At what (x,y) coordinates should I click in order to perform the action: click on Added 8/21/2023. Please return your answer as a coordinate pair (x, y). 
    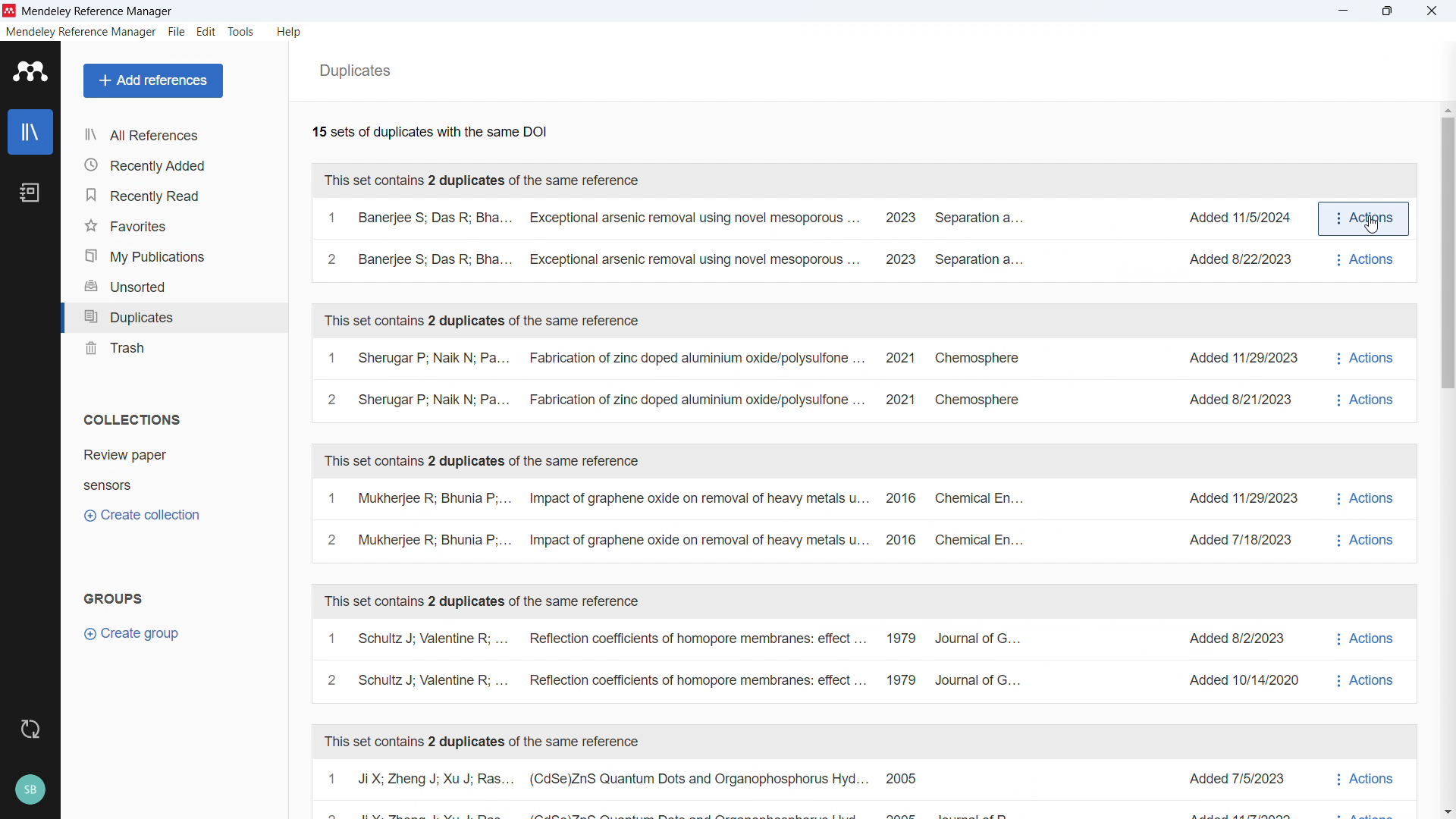
    Looking at the image, I should click on (1225, 397).